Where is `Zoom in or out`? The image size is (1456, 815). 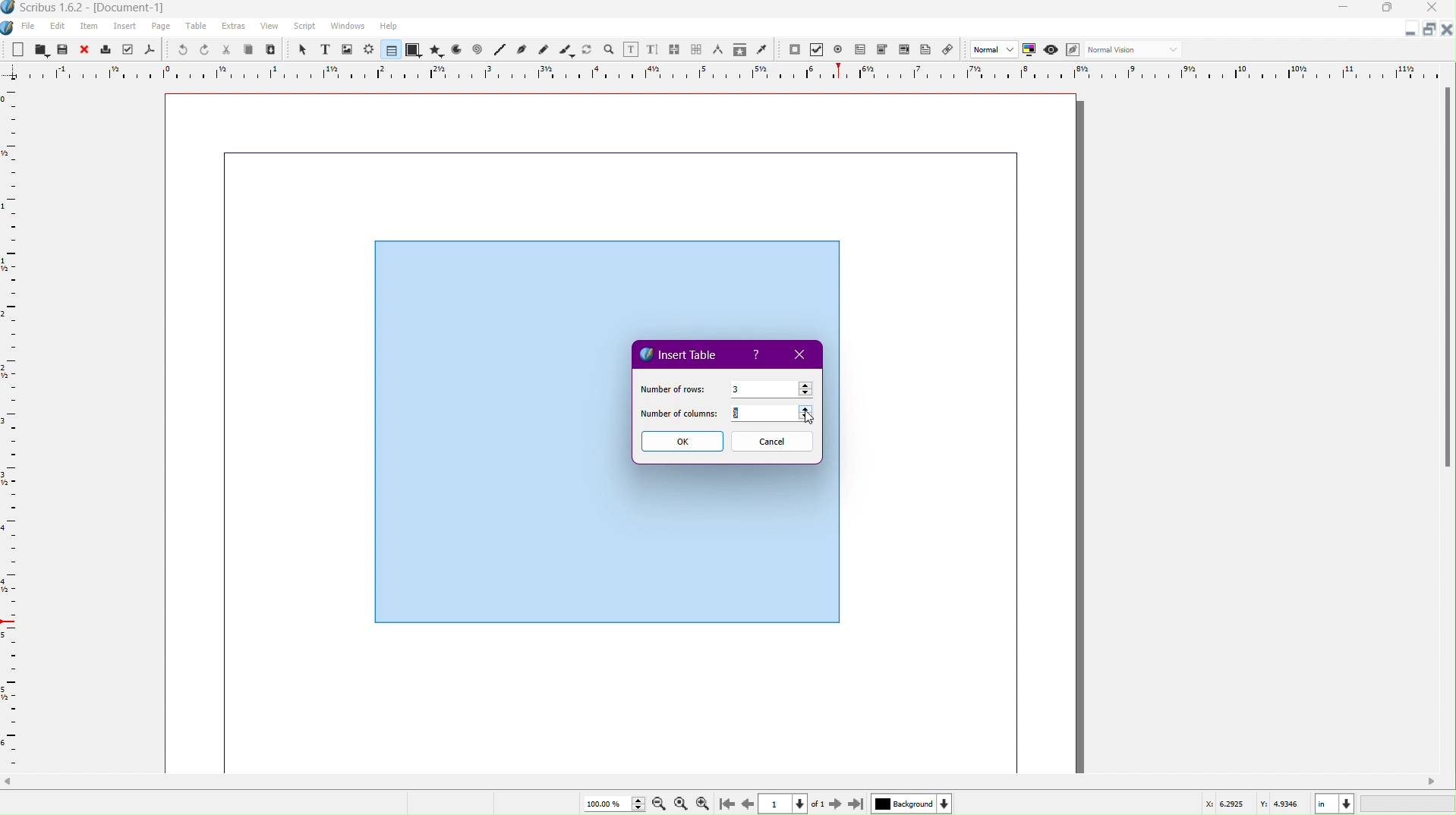
Zoom in or out is located at coordinates (609, 49).